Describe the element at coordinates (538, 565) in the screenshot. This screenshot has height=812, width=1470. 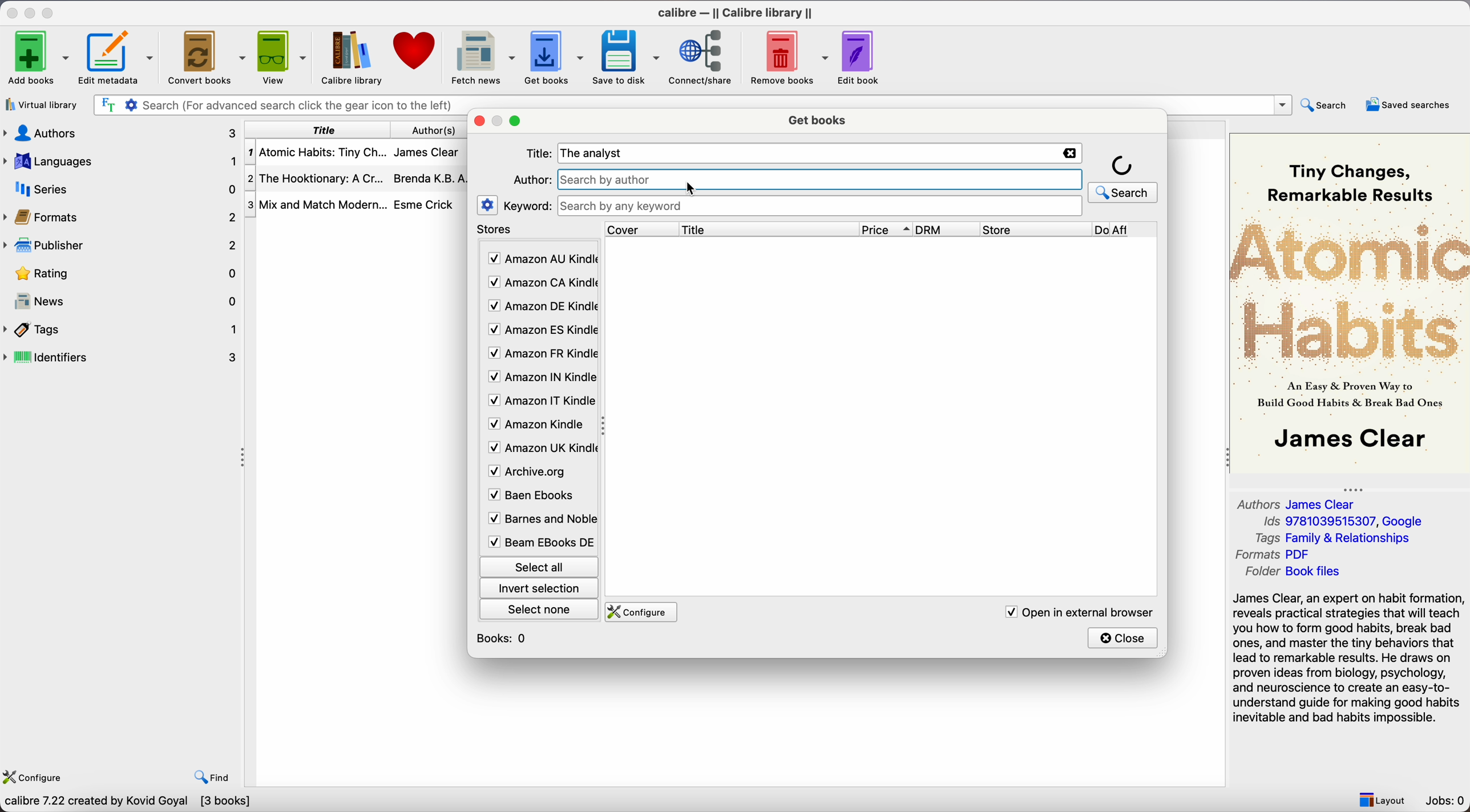
I see `select all` at that location.